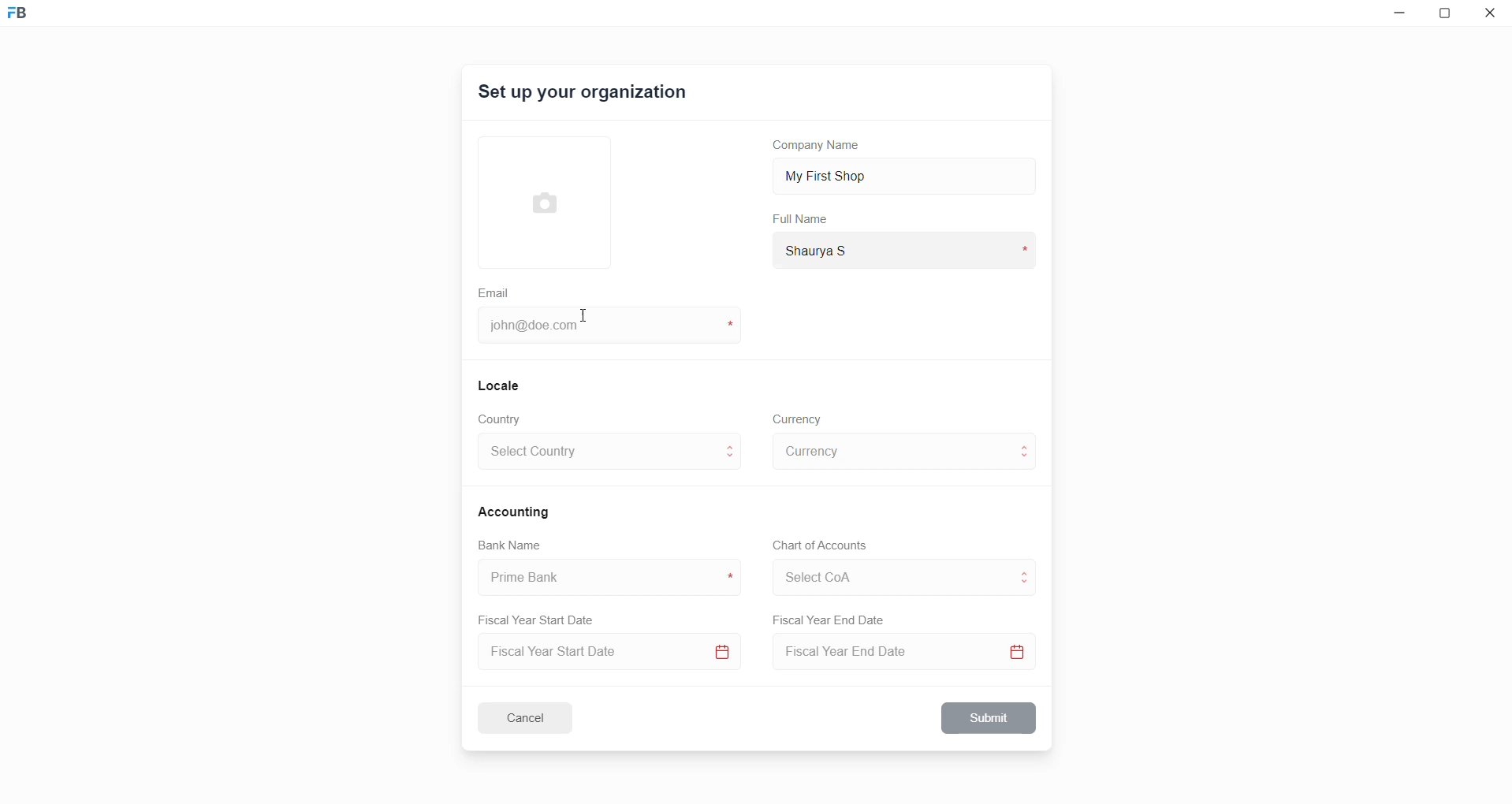 This screenshot has height=804, width=1512. Describe the element at coordinates (500, 385) in the screenshot. I see `Locale` at that location.